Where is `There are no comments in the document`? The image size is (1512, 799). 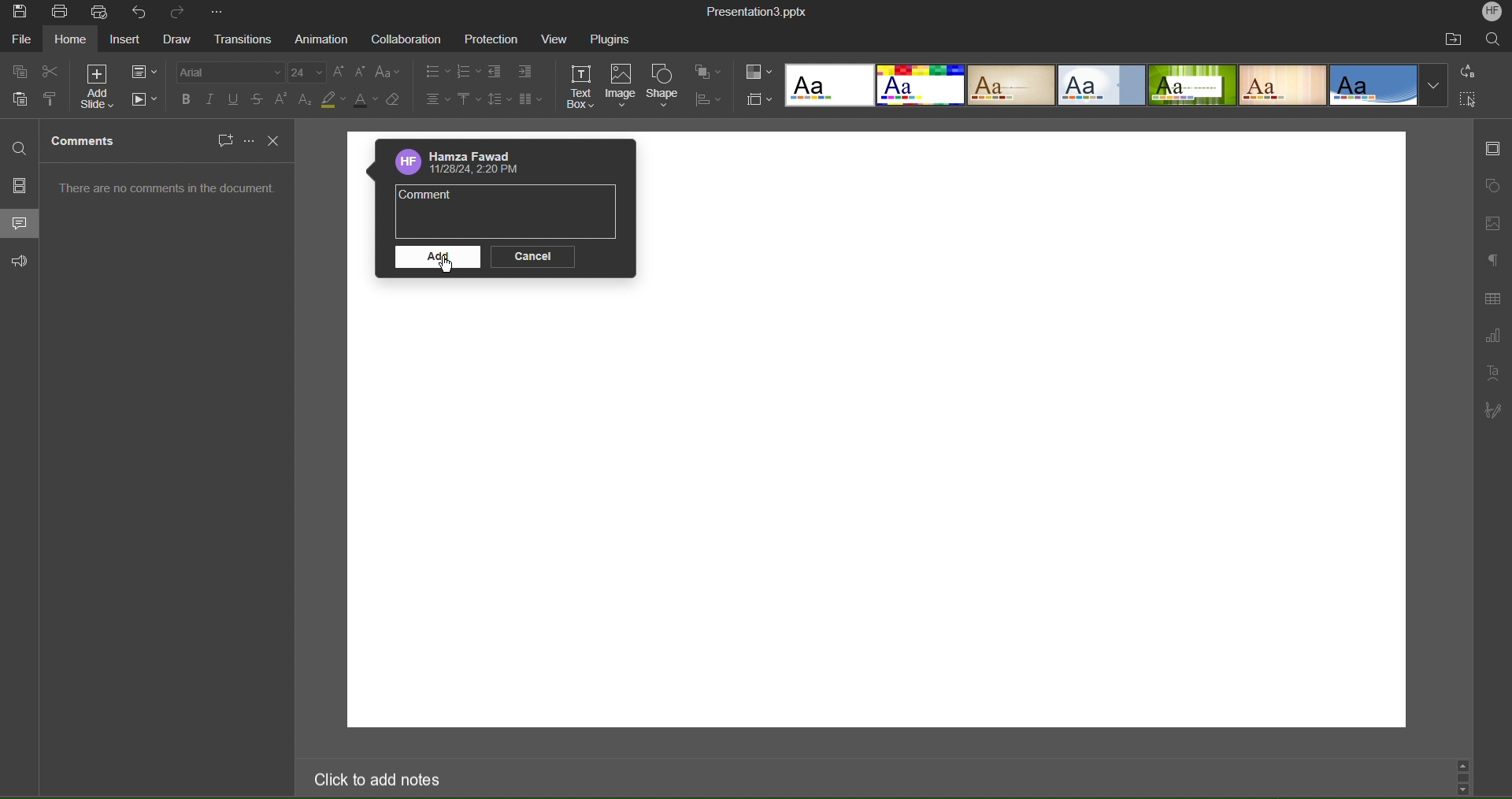
There are no comments in the document is located at coordinates (169, 192).